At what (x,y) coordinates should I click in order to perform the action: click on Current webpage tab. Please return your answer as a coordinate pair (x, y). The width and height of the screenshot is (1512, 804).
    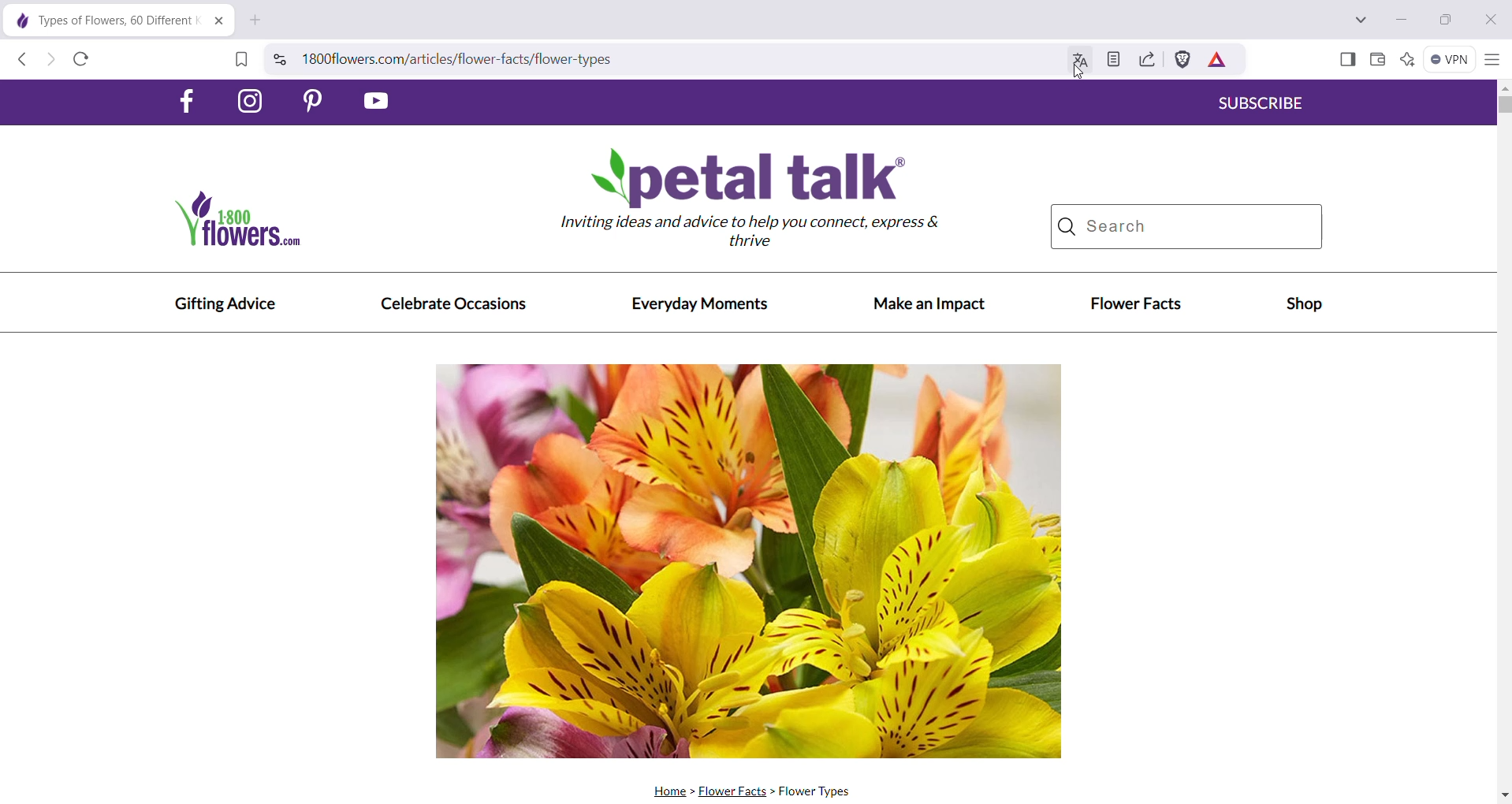
    Looking at the image, I should click on (99, 20).